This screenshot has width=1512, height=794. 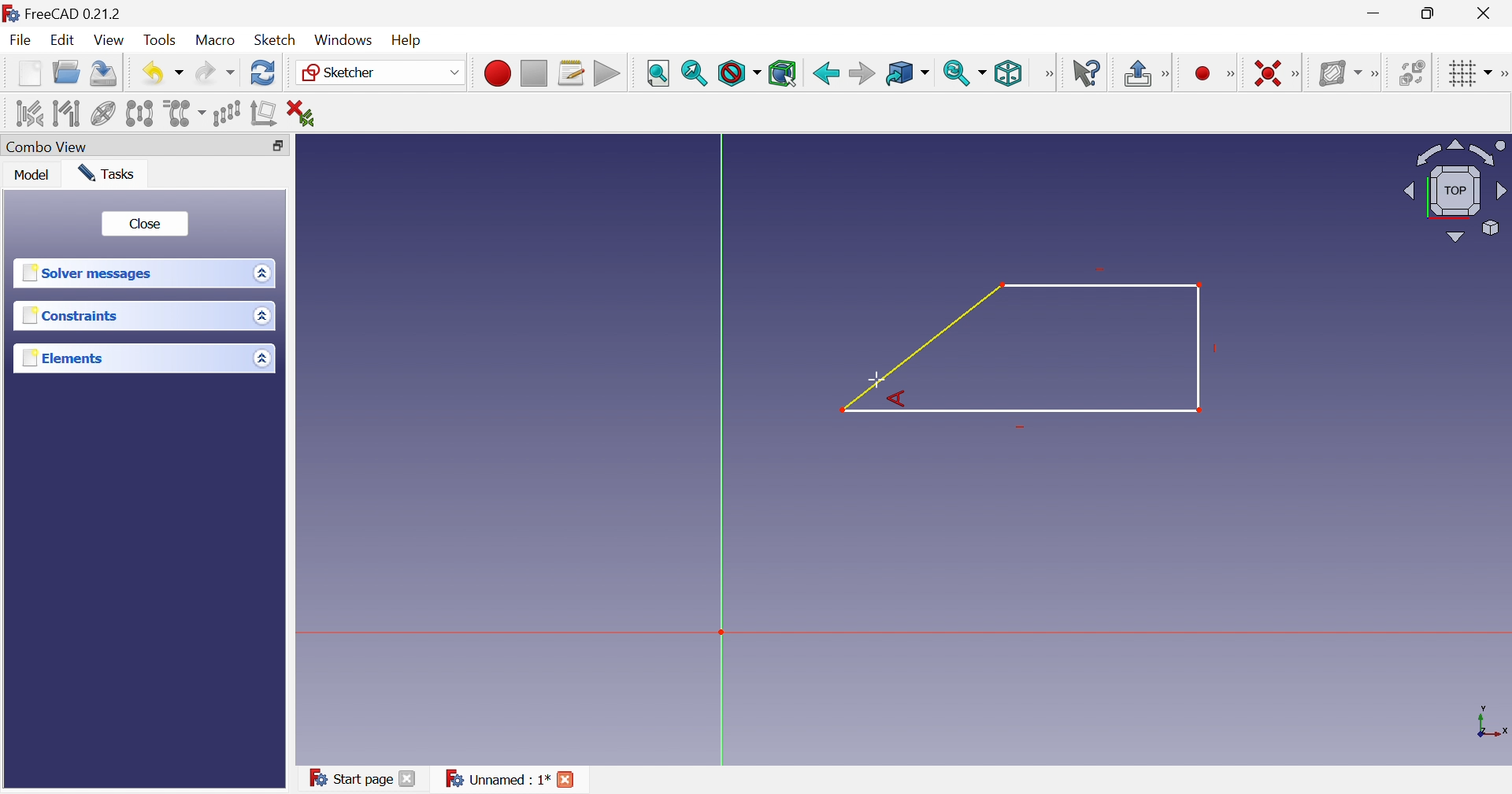 What do you see at coordinates (1374, 15) in the screenshot?
I see `Minimize` at bounding box center [1374, 15].